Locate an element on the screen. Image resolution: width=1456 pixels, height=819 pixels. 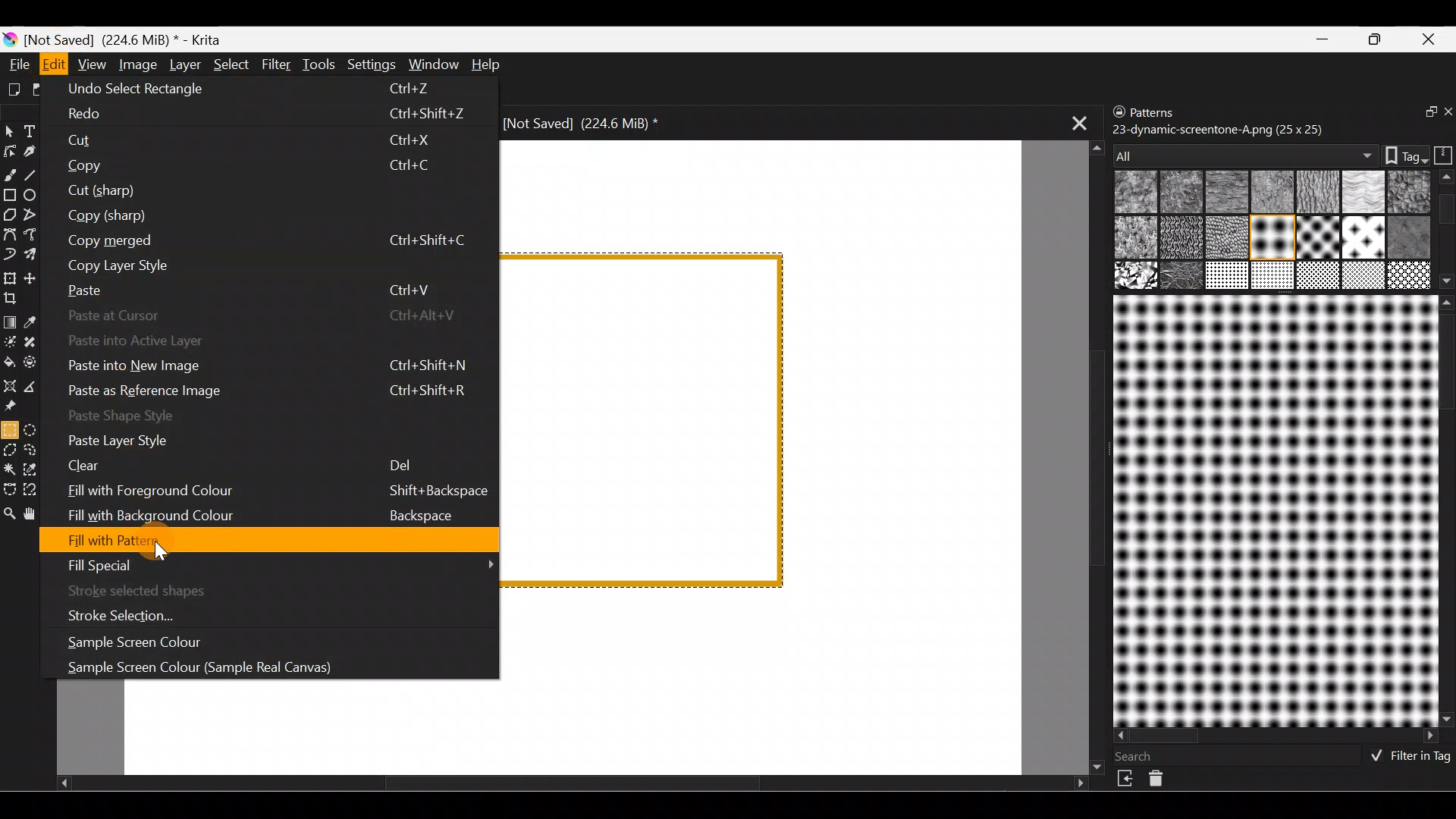
Magnetic curve selection tool is located at coordinates (41, 490).